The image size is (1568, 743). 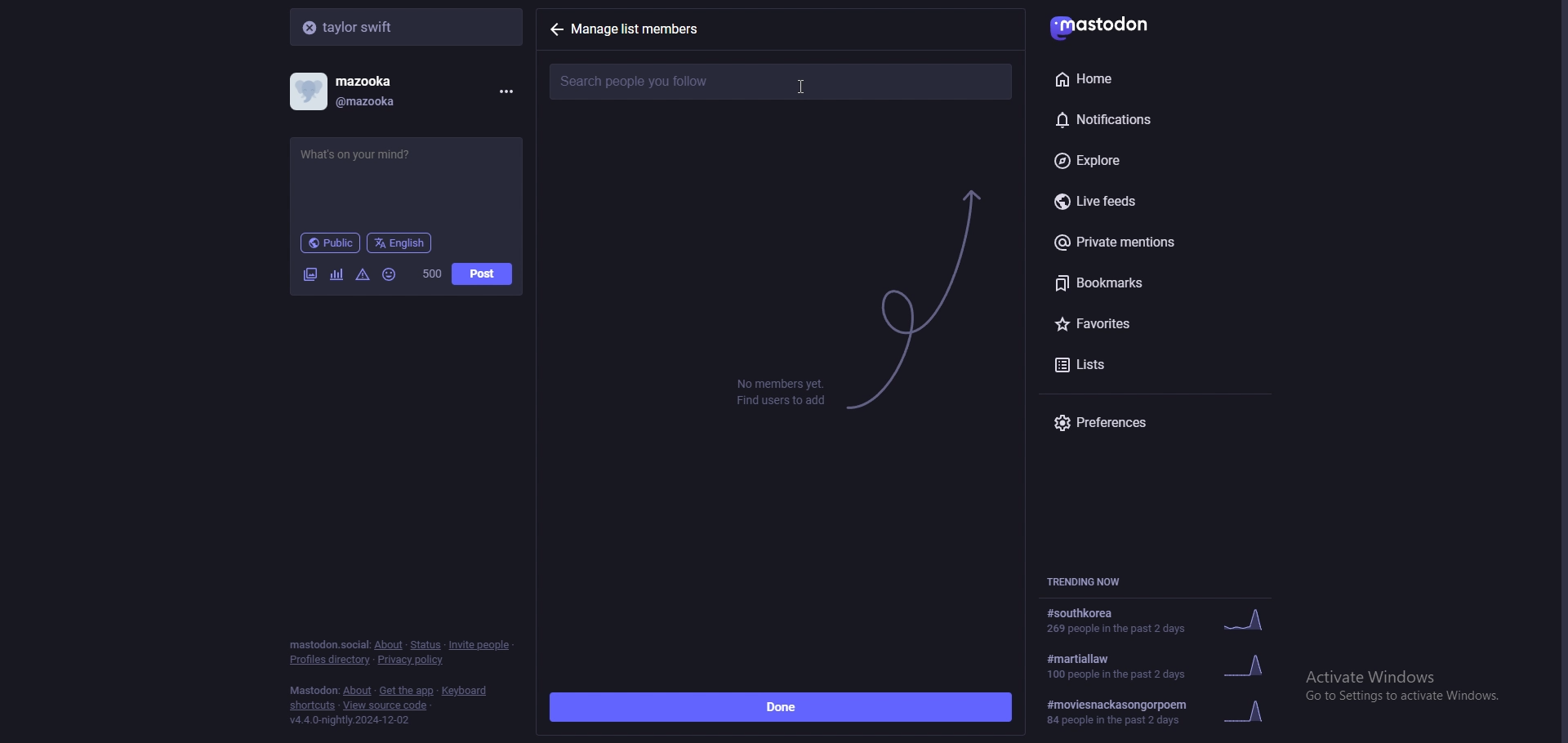 What do you see at coordinates (390, 274) in the screenshot?
I see `emoji` at bounding box center [390, 274].